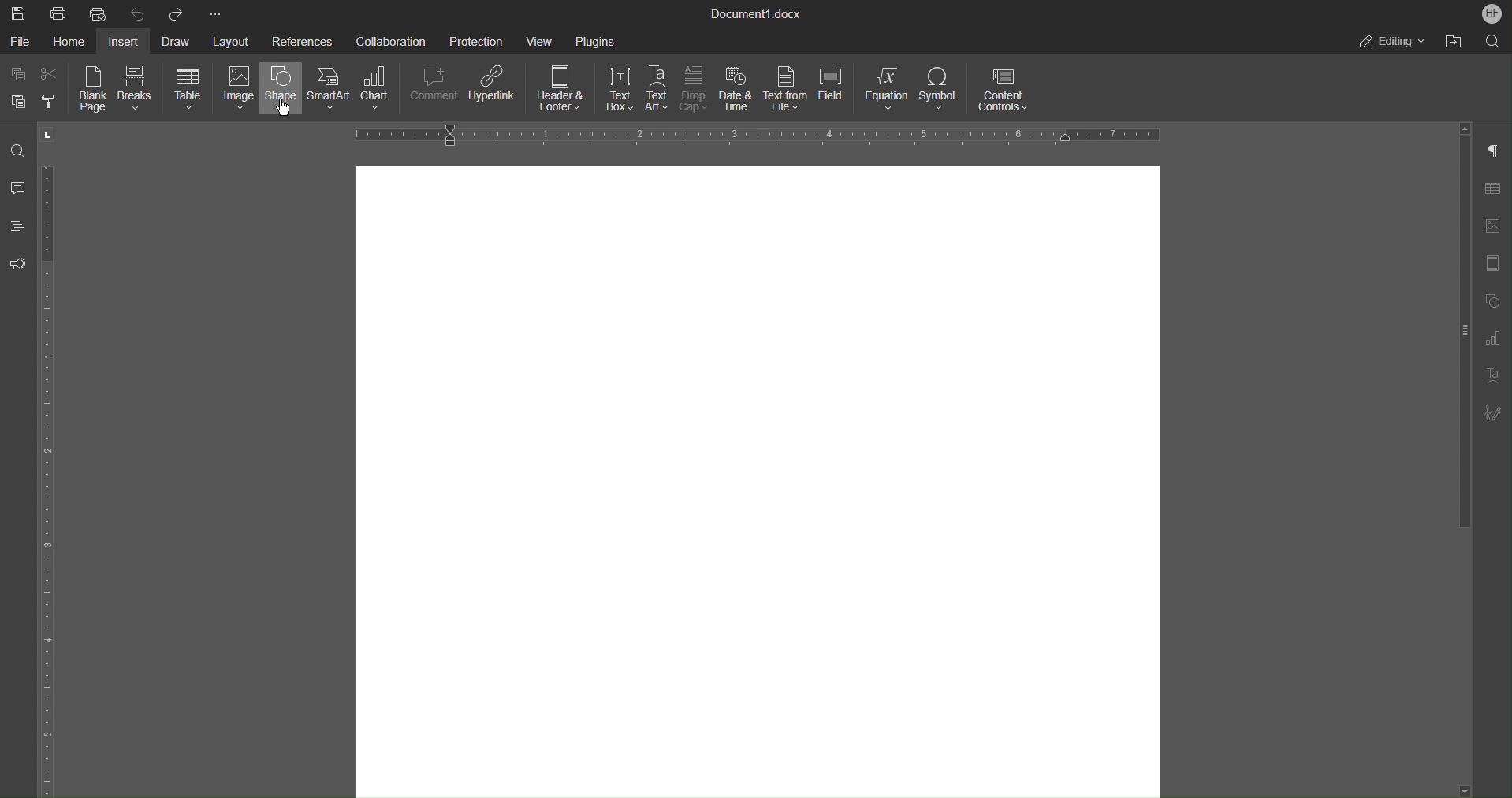  Describe the element at coordinates (1478, 789) in the screenshot. I see `Scroll down` at that location.